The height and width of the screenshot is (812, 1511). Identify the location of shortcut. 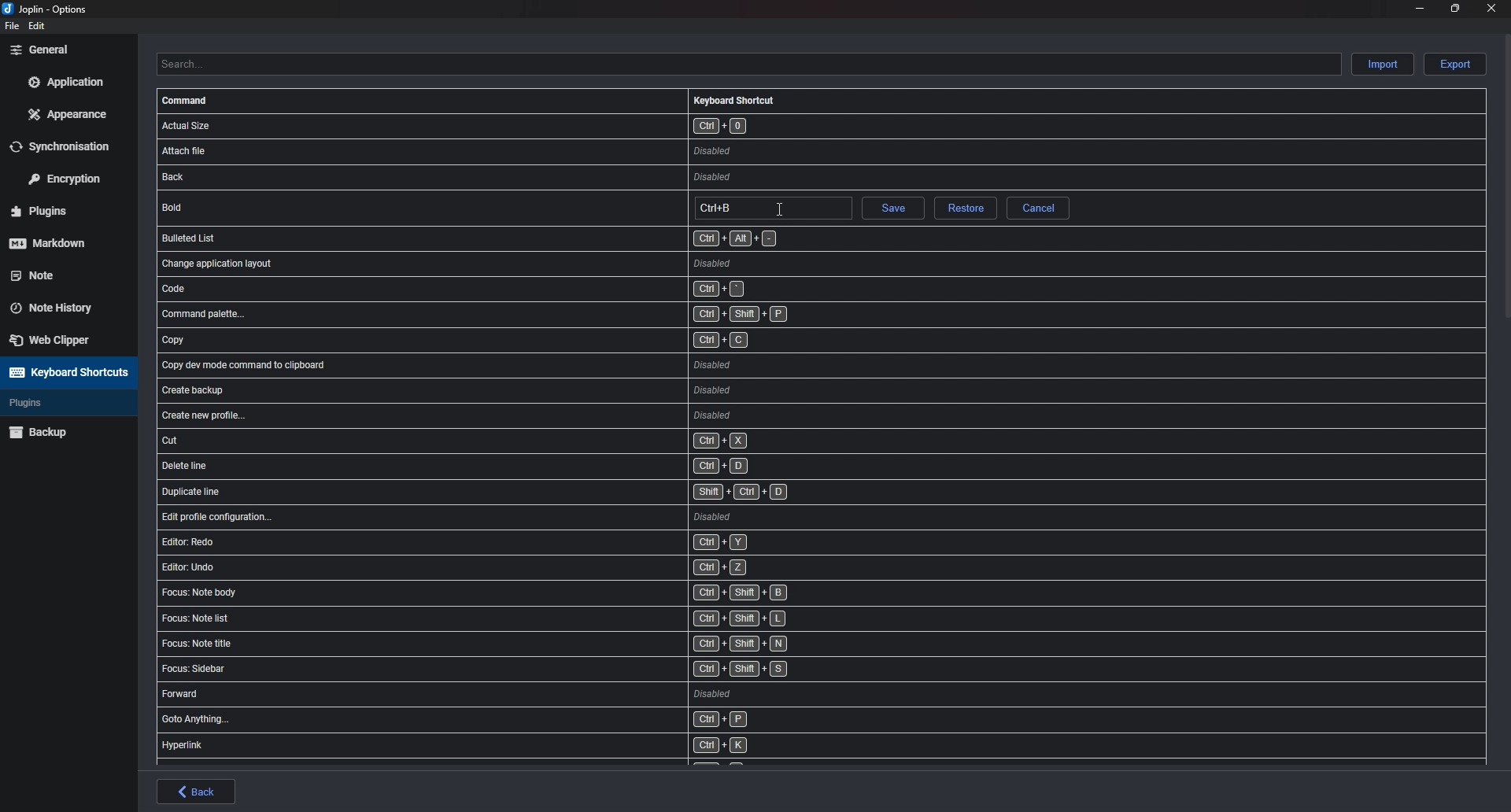
(543, 516).